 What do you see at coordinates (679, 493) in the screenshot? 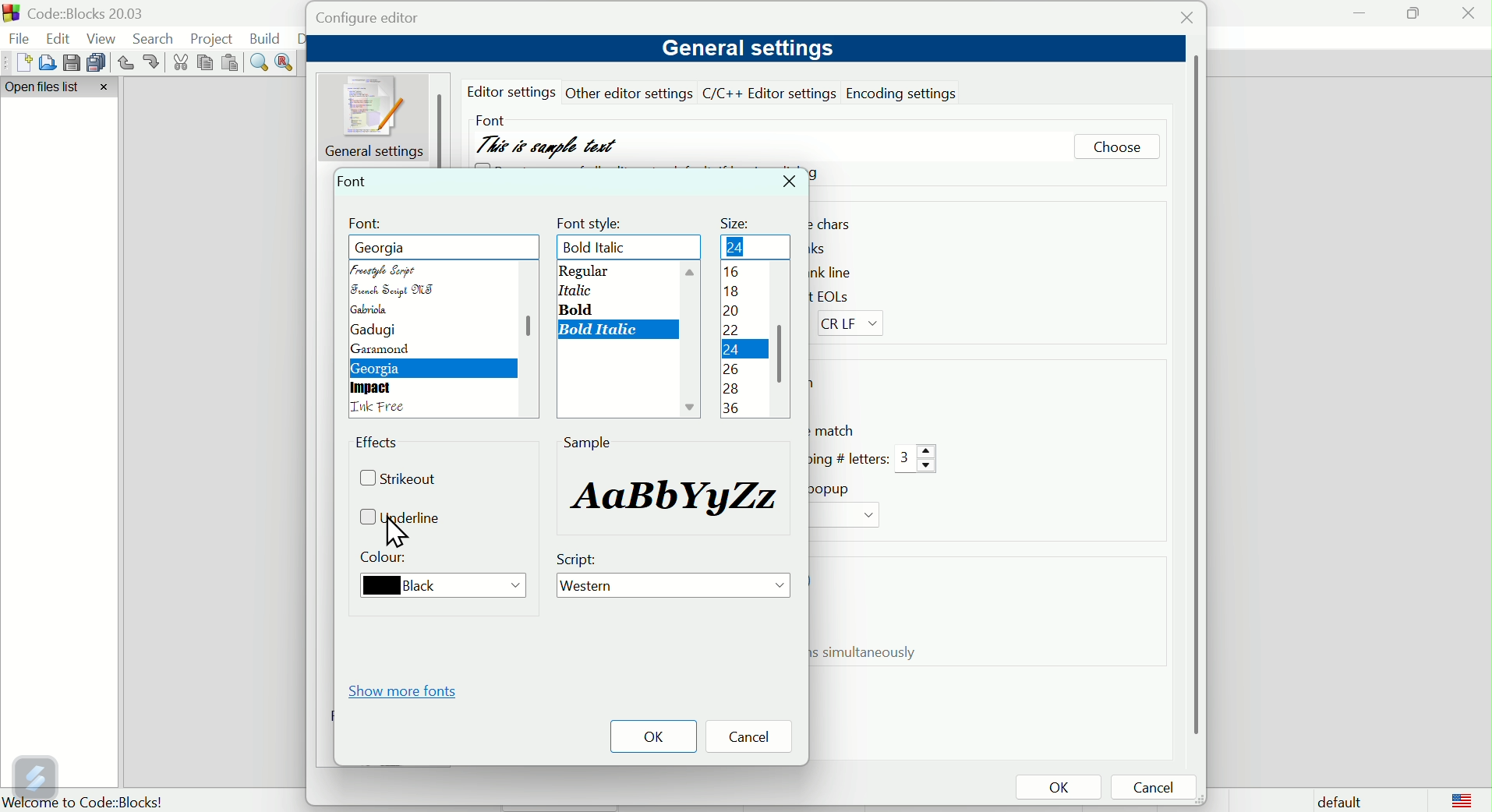
I see `sample` at bounding box center [679, 493].